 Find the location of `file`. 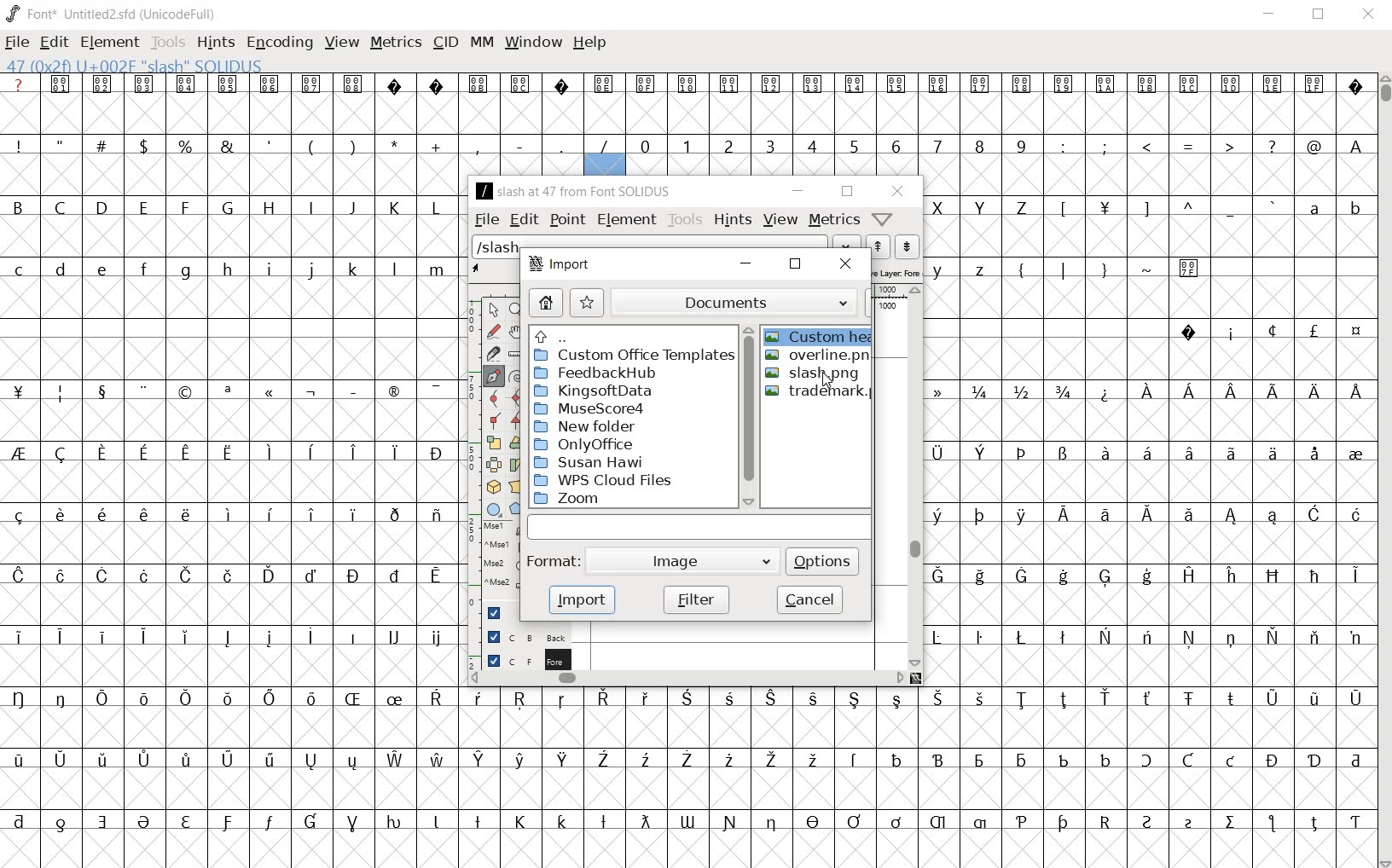

file is located at coordinates (486, 219).